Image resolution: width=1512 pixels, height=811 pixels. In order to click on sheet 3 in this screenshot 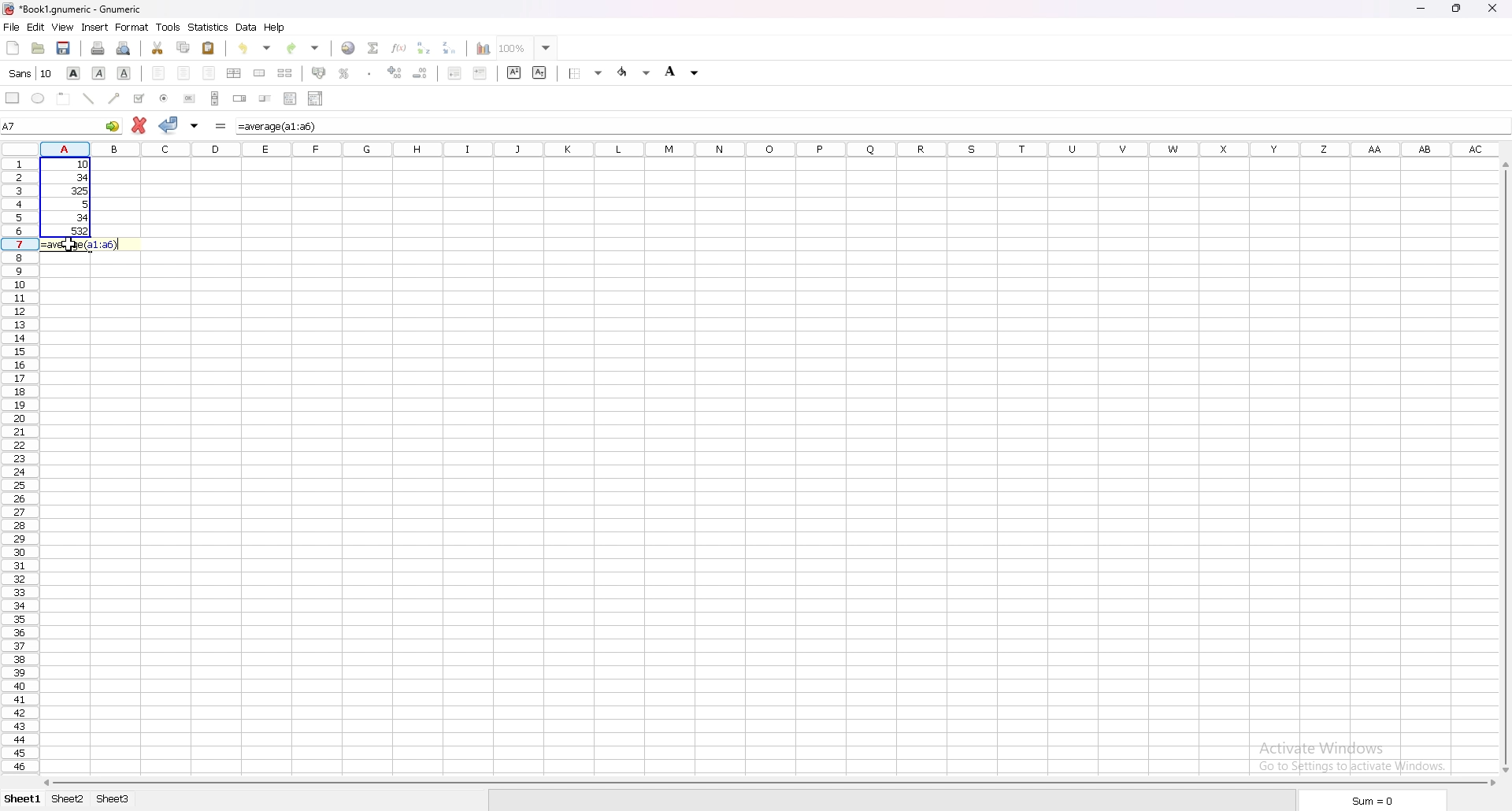, I will do `click(115, 798)`.